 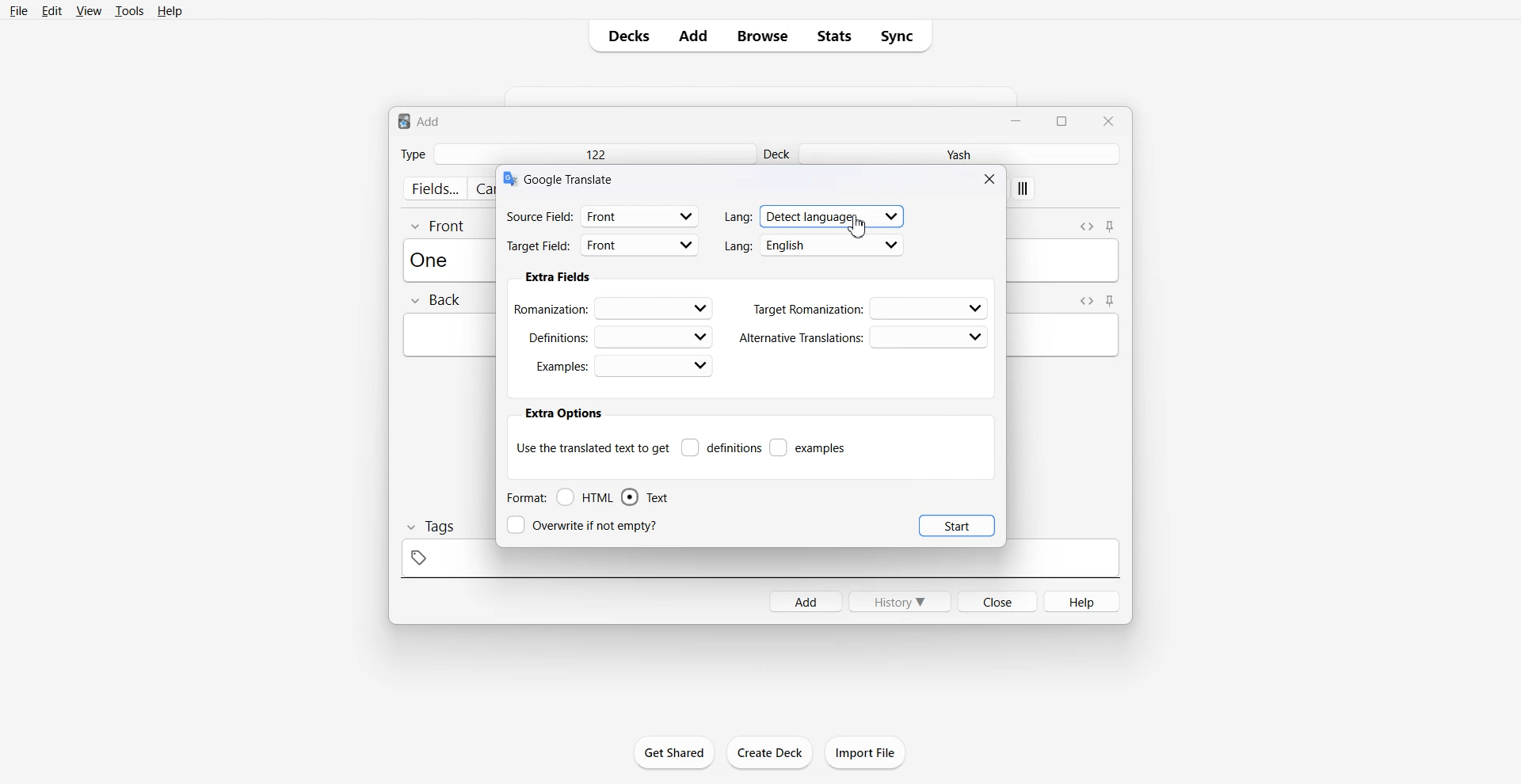 What do you see at coordinates (809, 447) in the screenshot?
I see `examples` at bounding box center [809, 447].